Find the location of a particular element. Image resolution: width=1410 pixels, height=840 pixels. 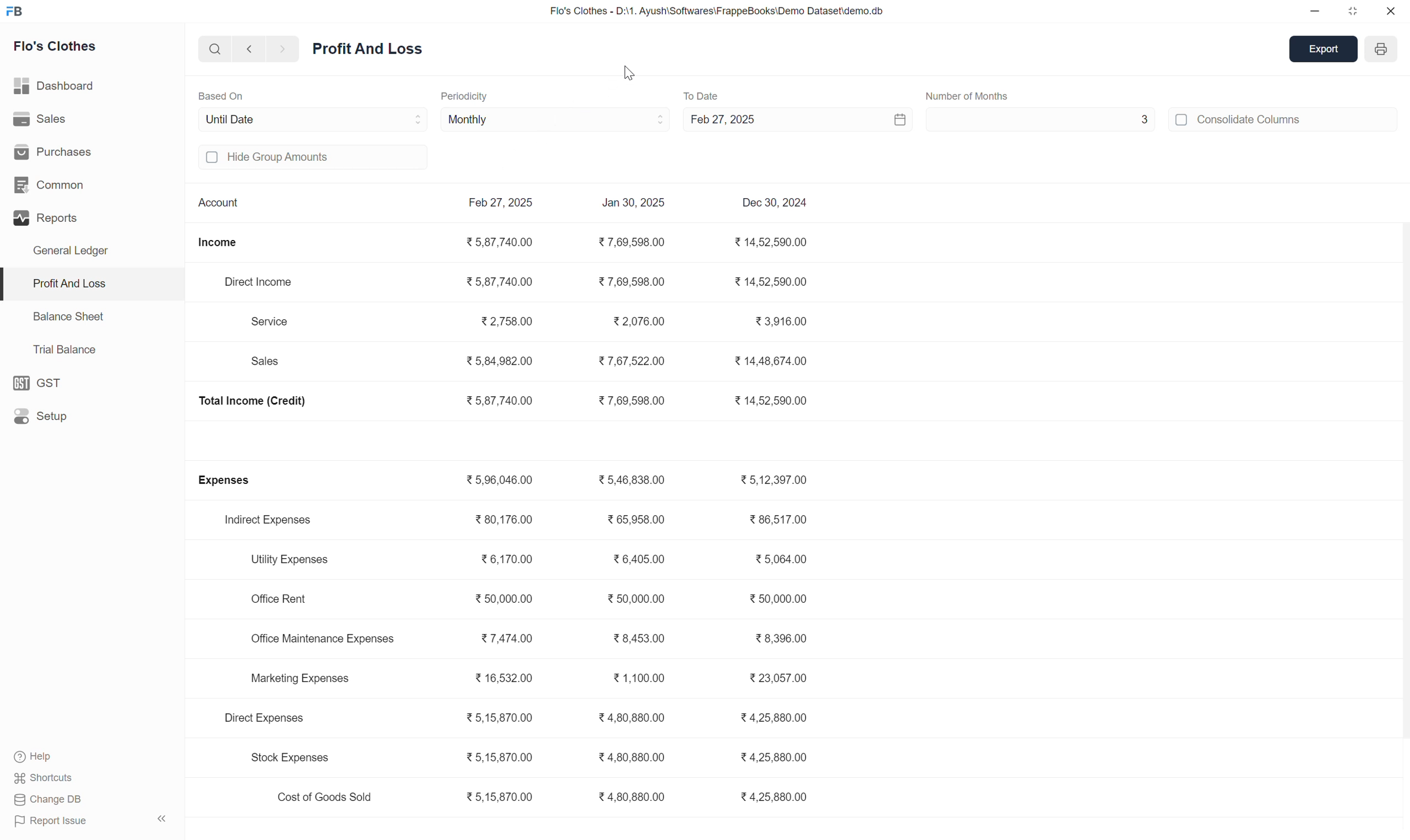

Number of Months is located at coordinates (969, 94).